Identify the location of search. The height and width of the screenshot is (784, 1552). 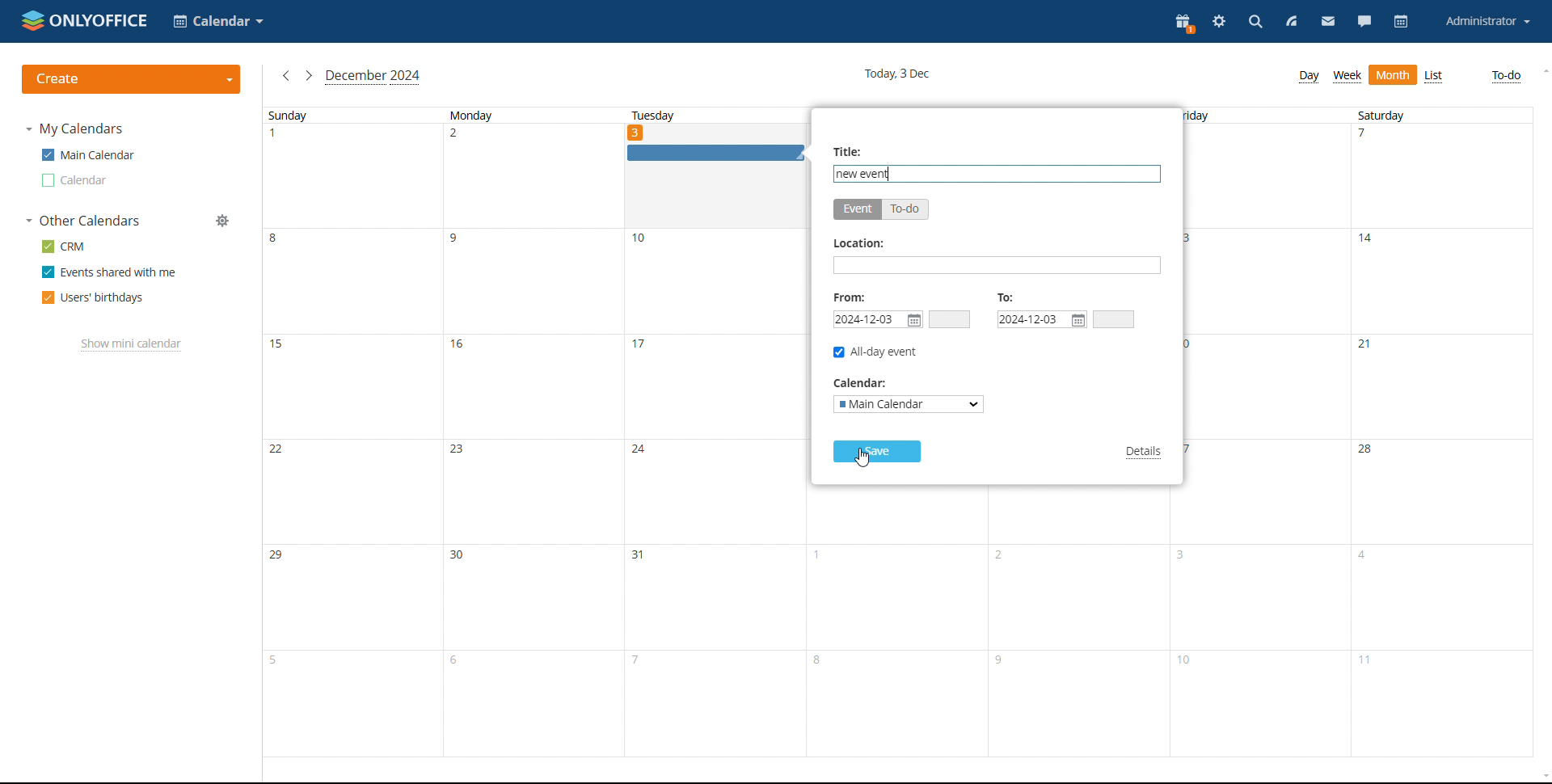
(1255, 22).